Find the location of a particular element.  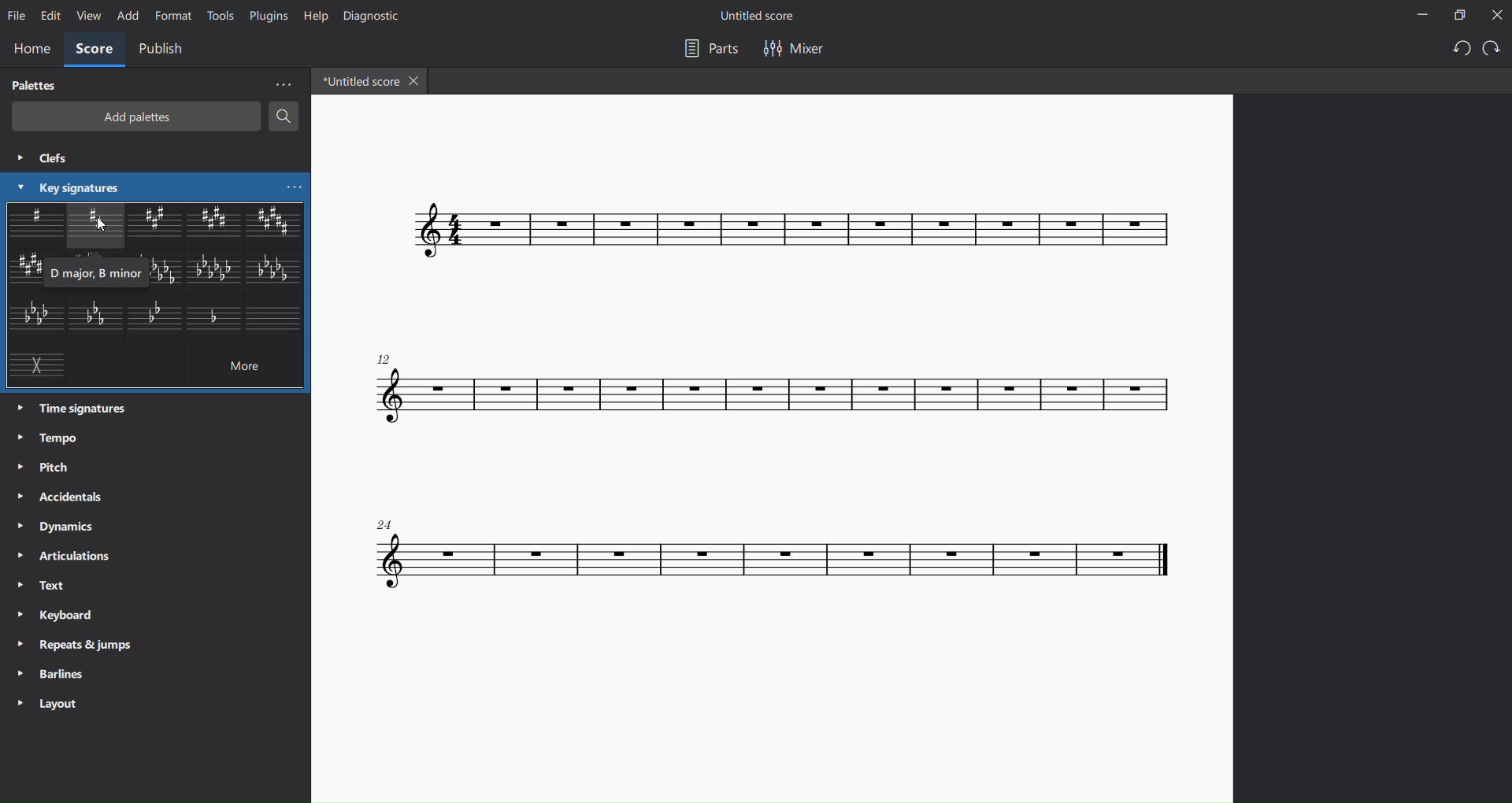

time signatures is located at coordinates (68, 409).